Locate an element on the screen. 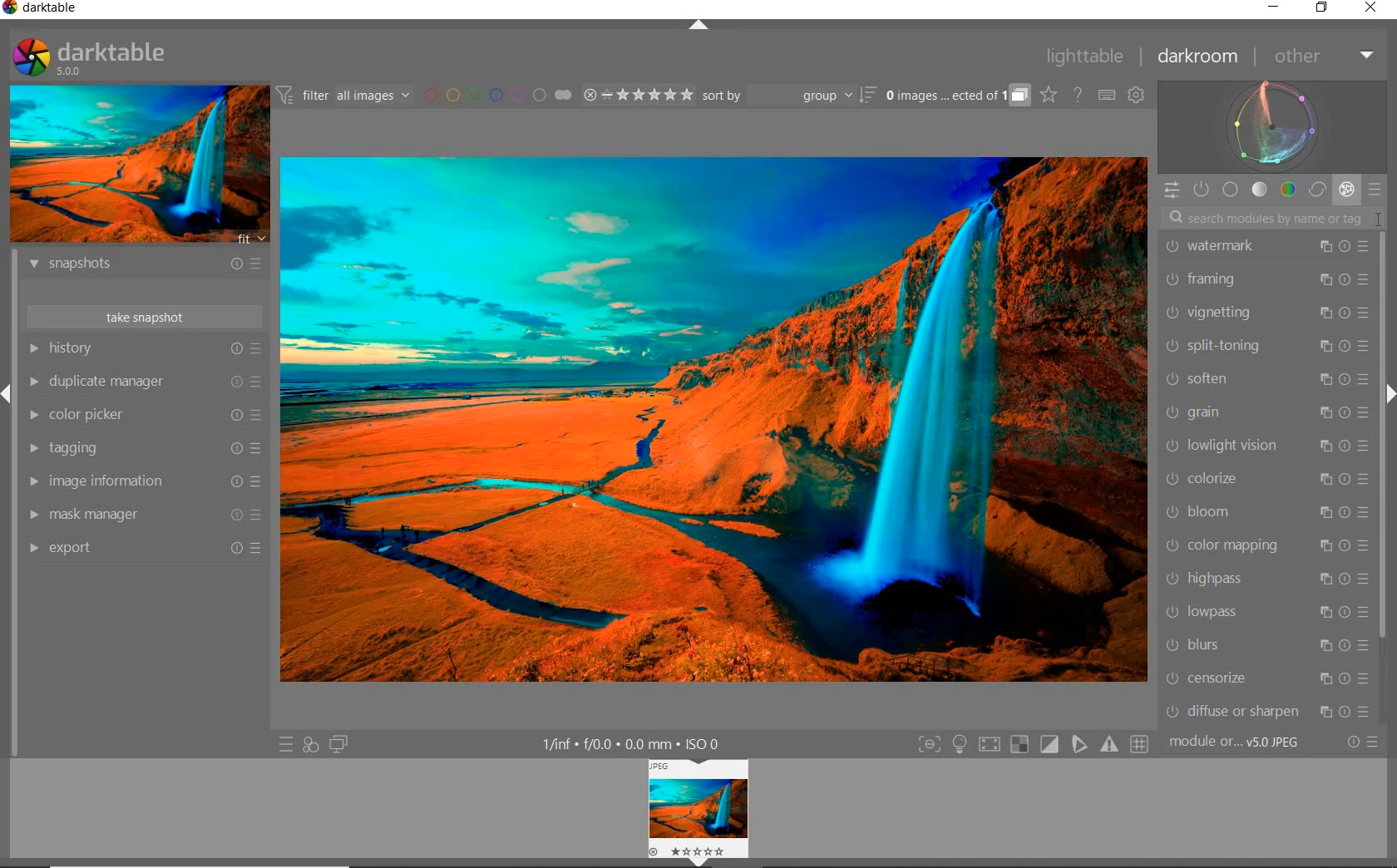  base is located at coordinates (1232, 189).